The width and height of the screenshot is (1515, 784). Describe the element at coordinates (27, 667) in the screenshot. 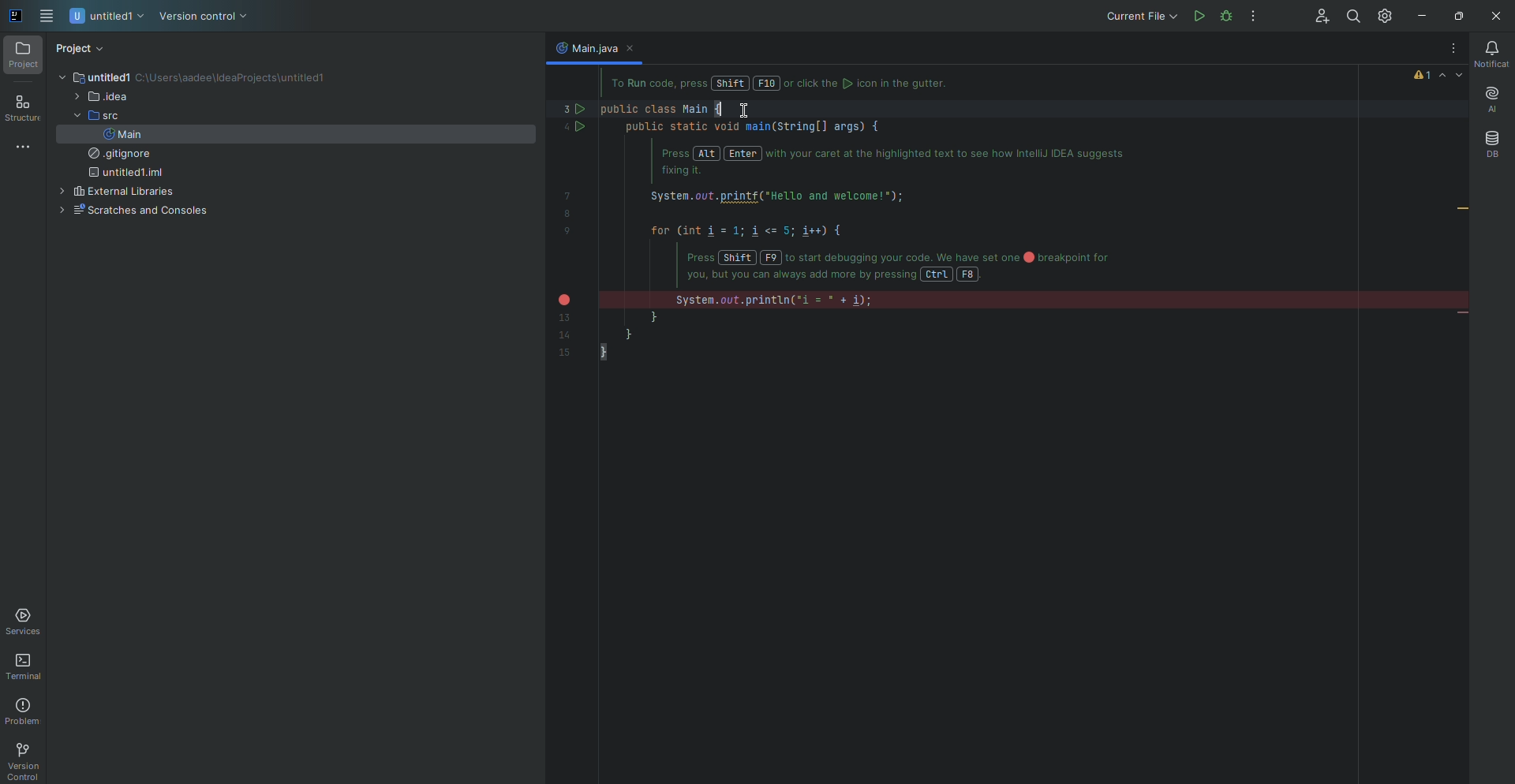

I see `Terminal` at that location.